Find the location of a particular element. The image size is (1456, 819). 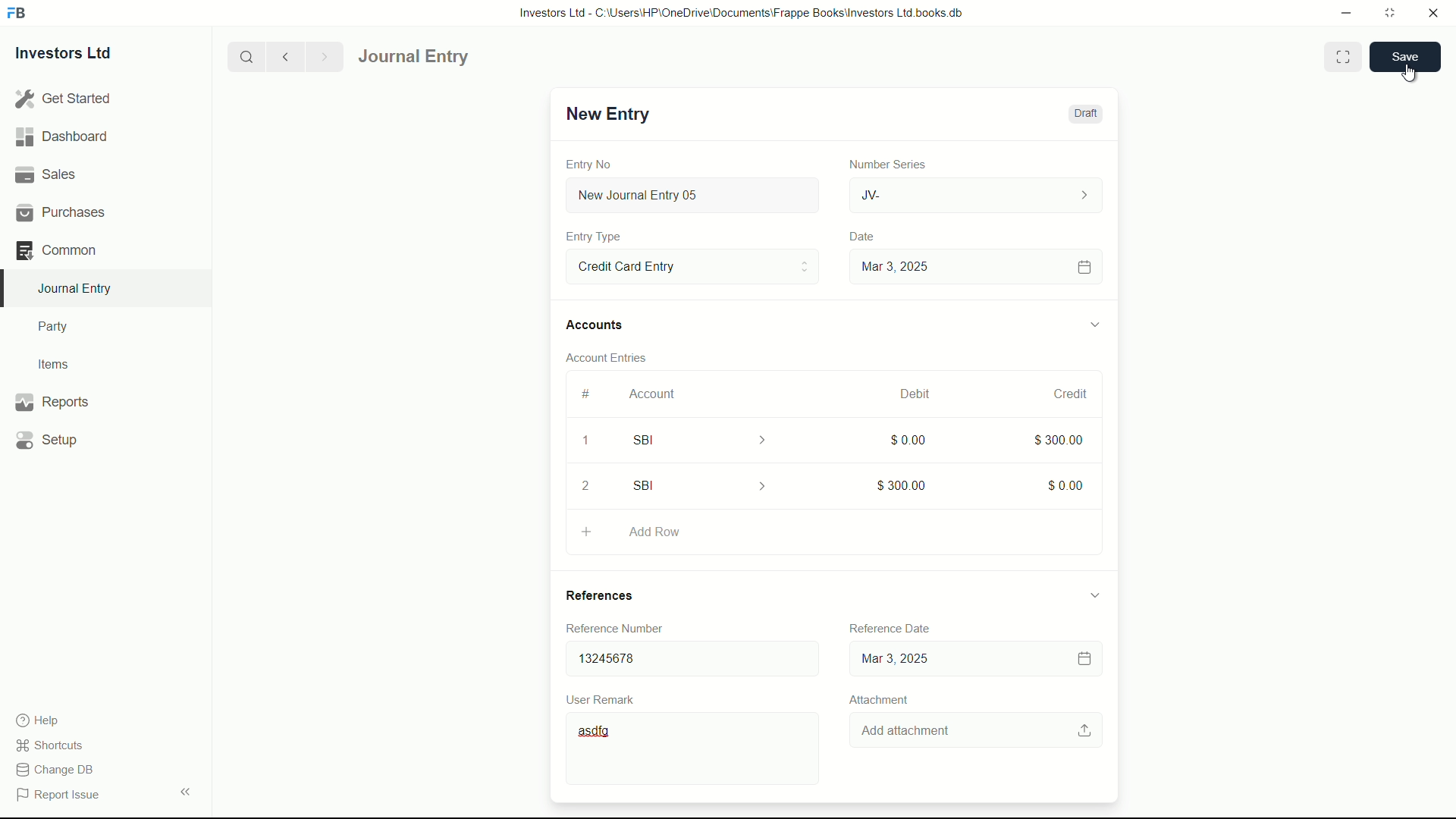

SBI is located at coordinates (704, 485).